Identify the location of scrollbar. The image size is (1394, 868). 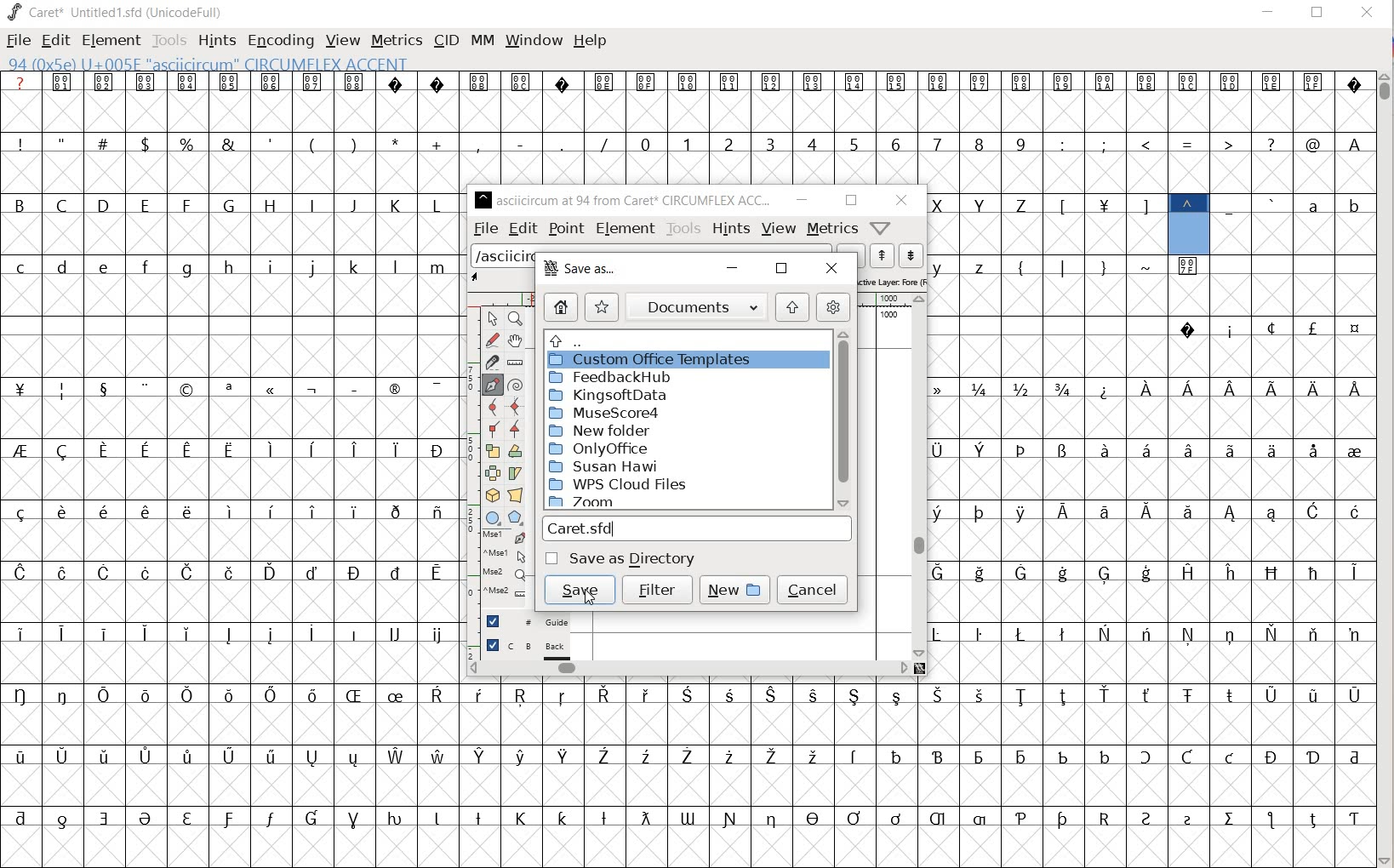
(687, 667).